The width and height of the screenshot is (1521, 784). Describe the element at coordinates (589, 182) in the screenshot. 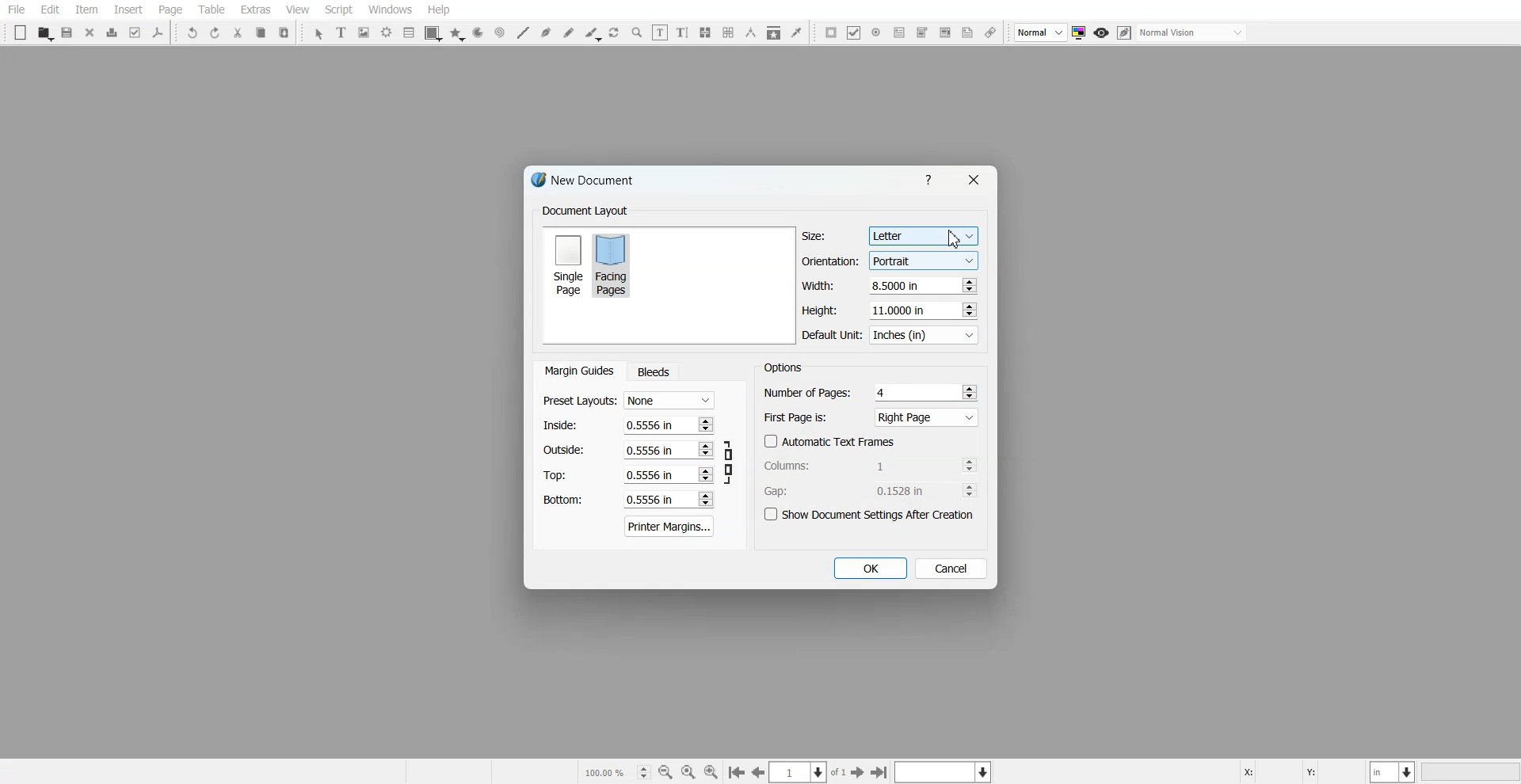

I see `Text` at that location.